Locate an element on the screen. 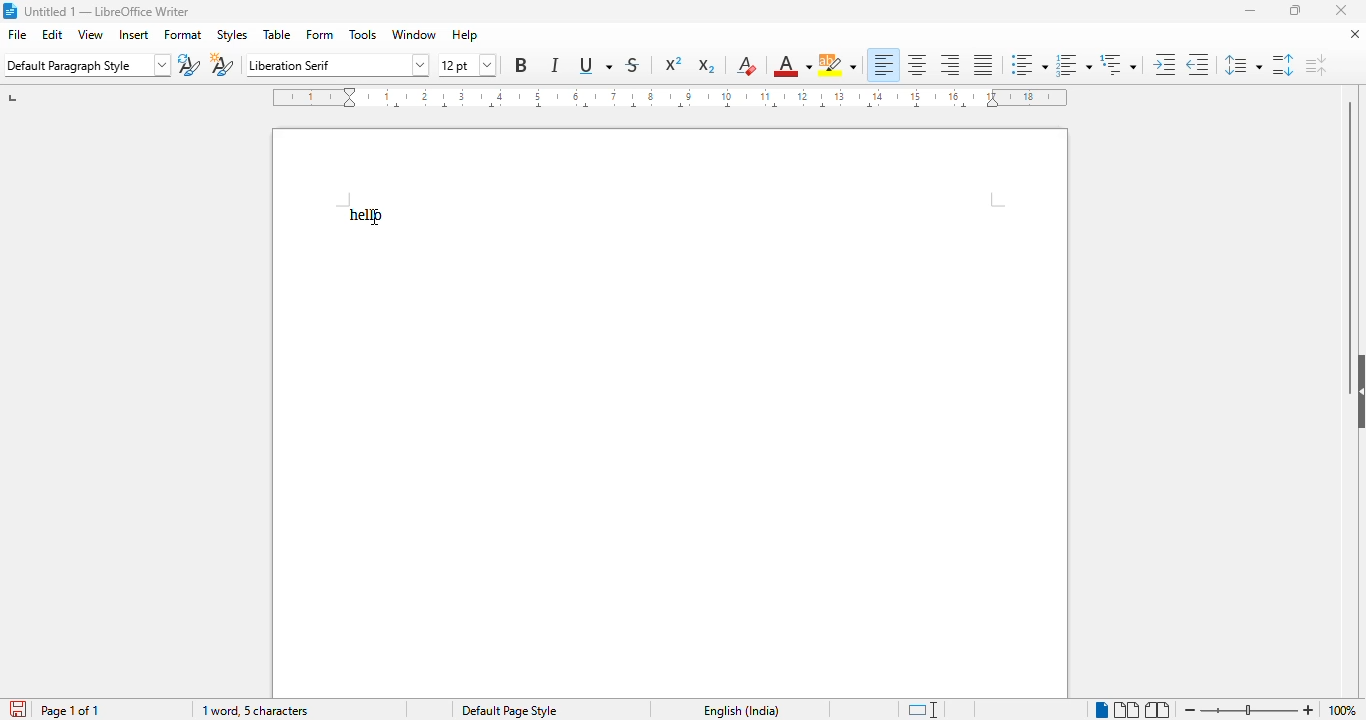 The height and width of the screenshot is (720, 1366). strikethrough is located at coordinates (633, 65).